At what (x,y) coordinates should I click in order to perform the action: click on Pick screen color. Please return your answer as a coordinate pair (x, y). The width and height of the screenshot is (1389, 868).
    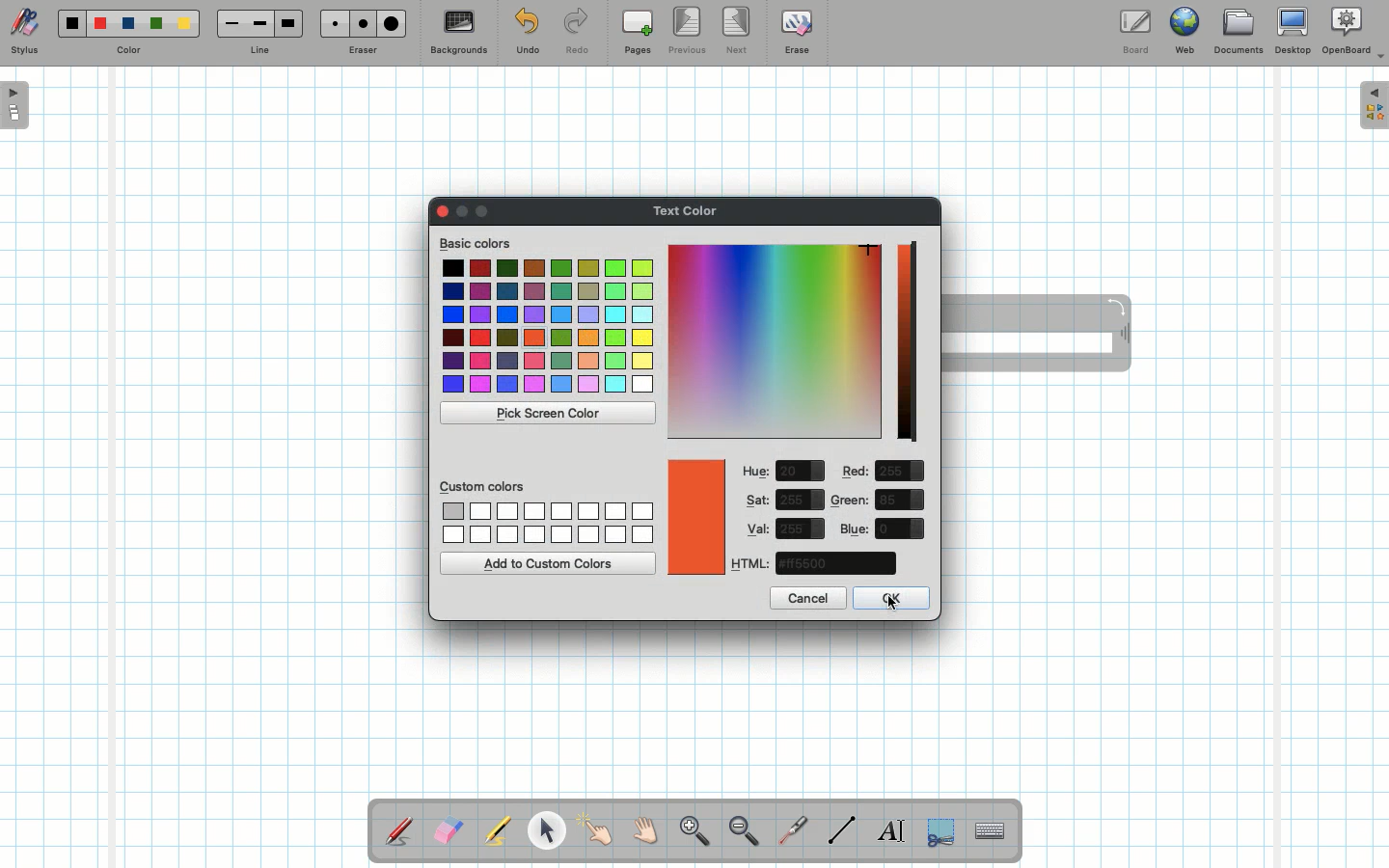
    Looking at the image, I should click on (549, 414).